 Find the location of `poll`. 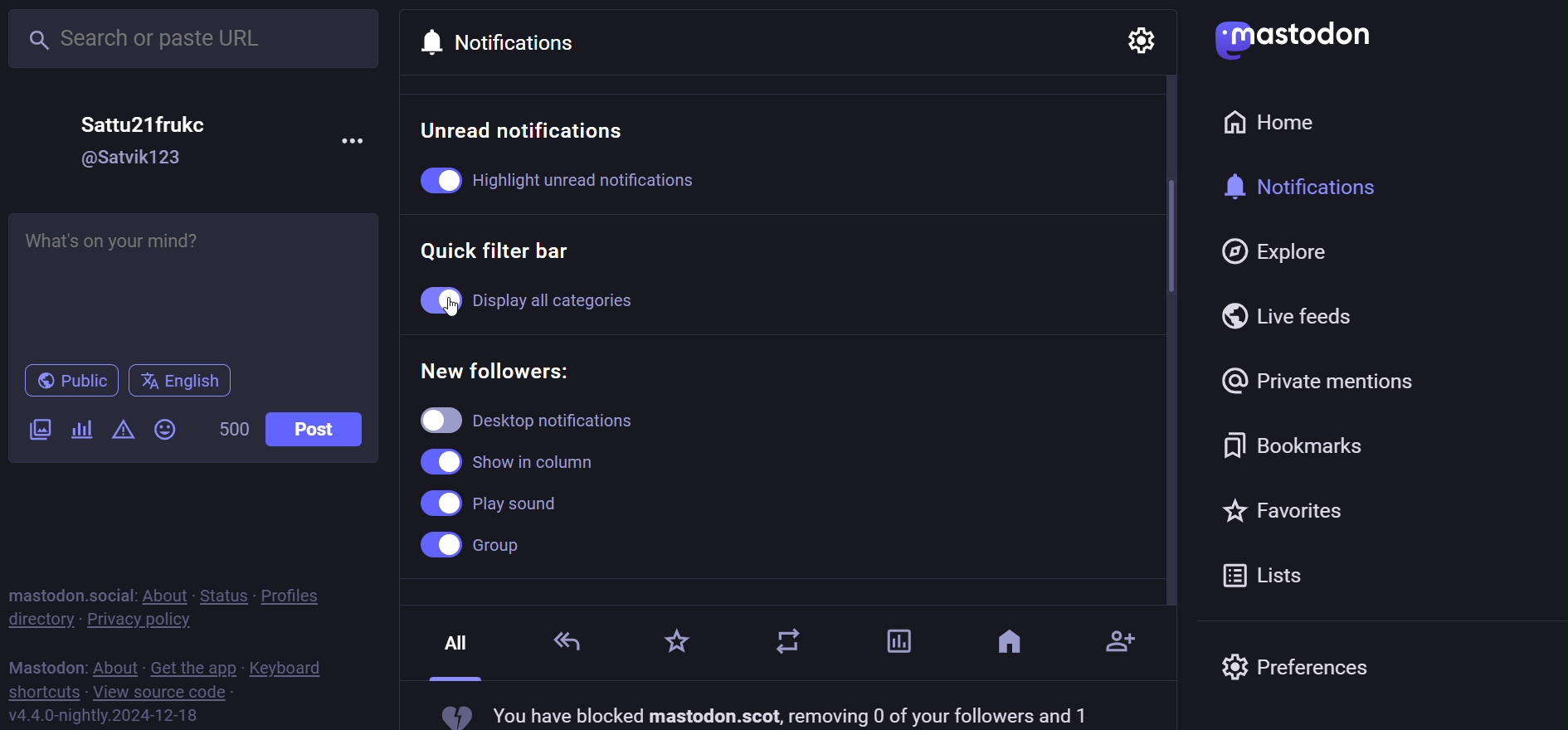

poll is located at coordinates (894, 640).